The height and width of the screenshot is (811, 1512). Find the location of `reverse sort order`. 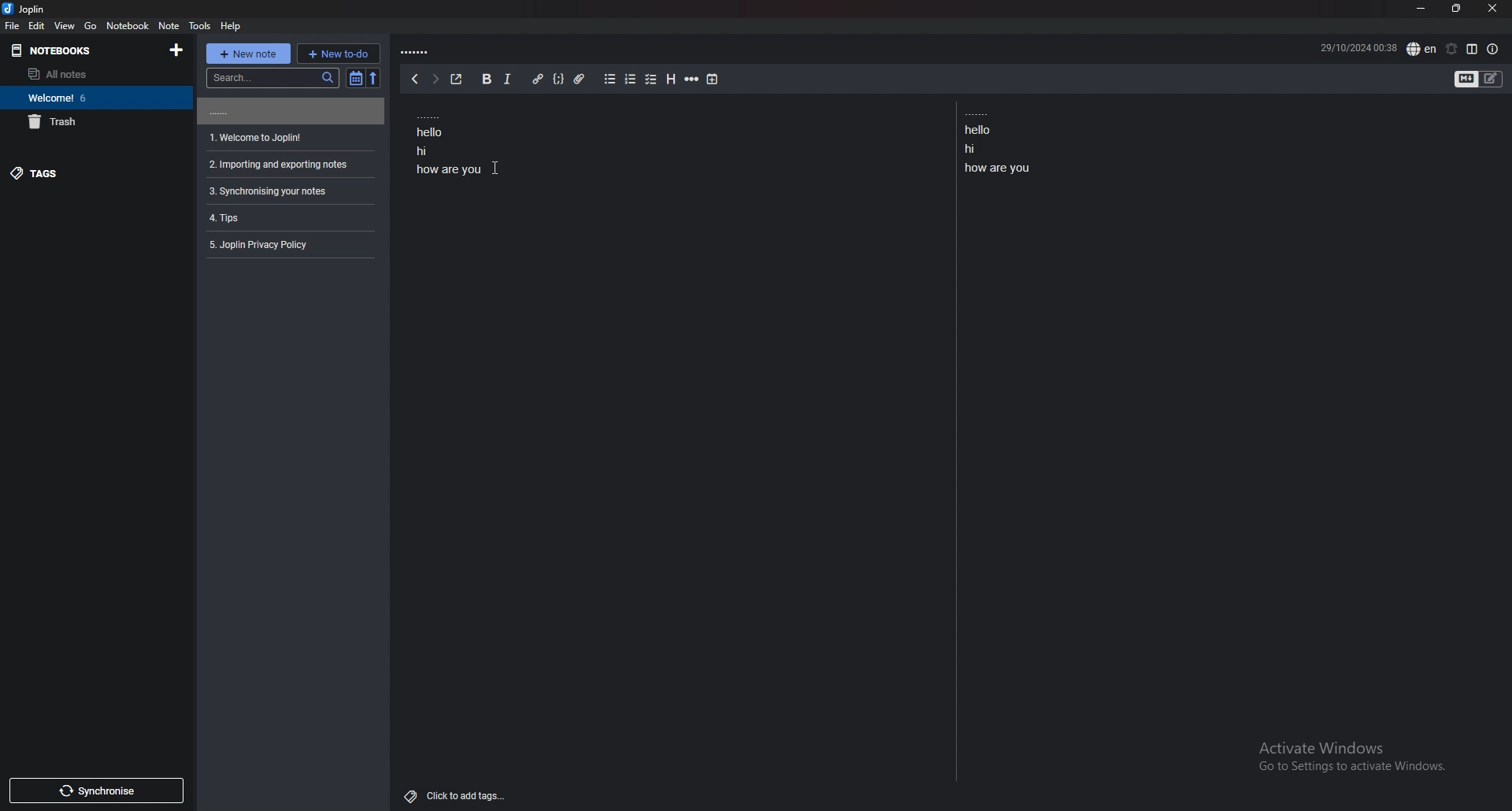

reverse sort order is located at coordinates (375, 78).